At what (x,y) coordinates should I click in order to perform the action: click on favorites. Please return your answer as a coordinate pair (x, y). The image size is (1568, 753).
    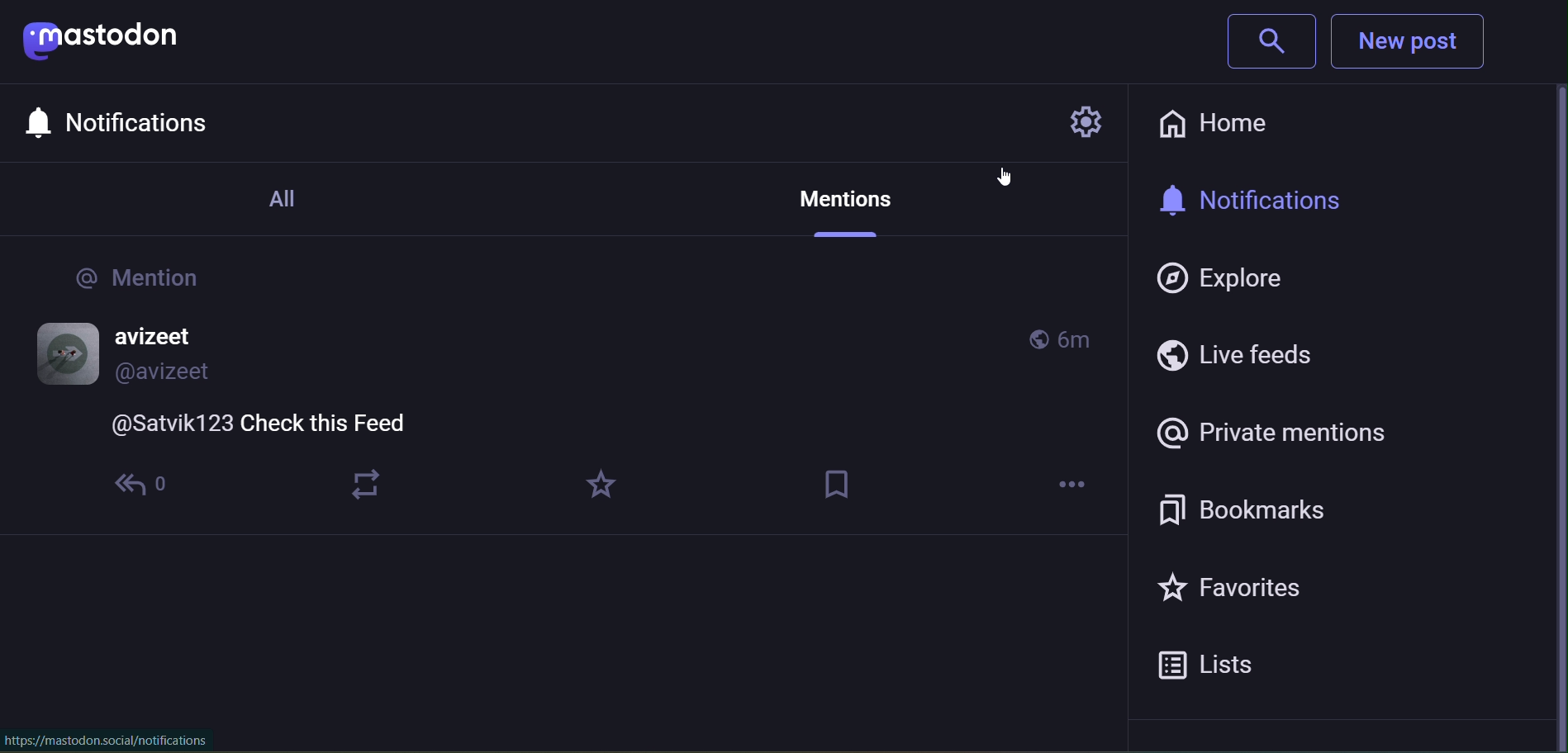
    Looking at the image, I should click on (612, 482).